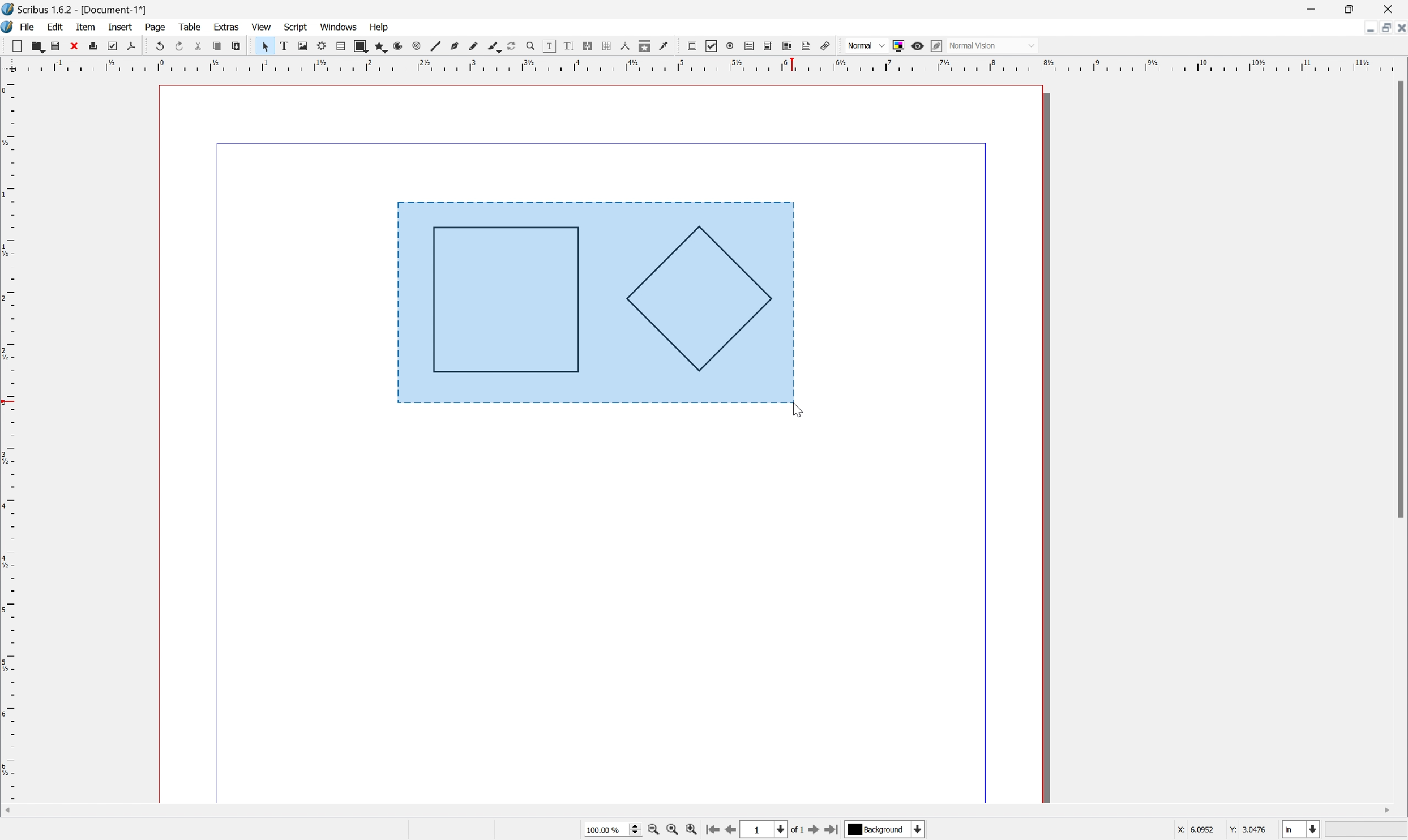  I want to click on Rectangle, so click(505, 301).